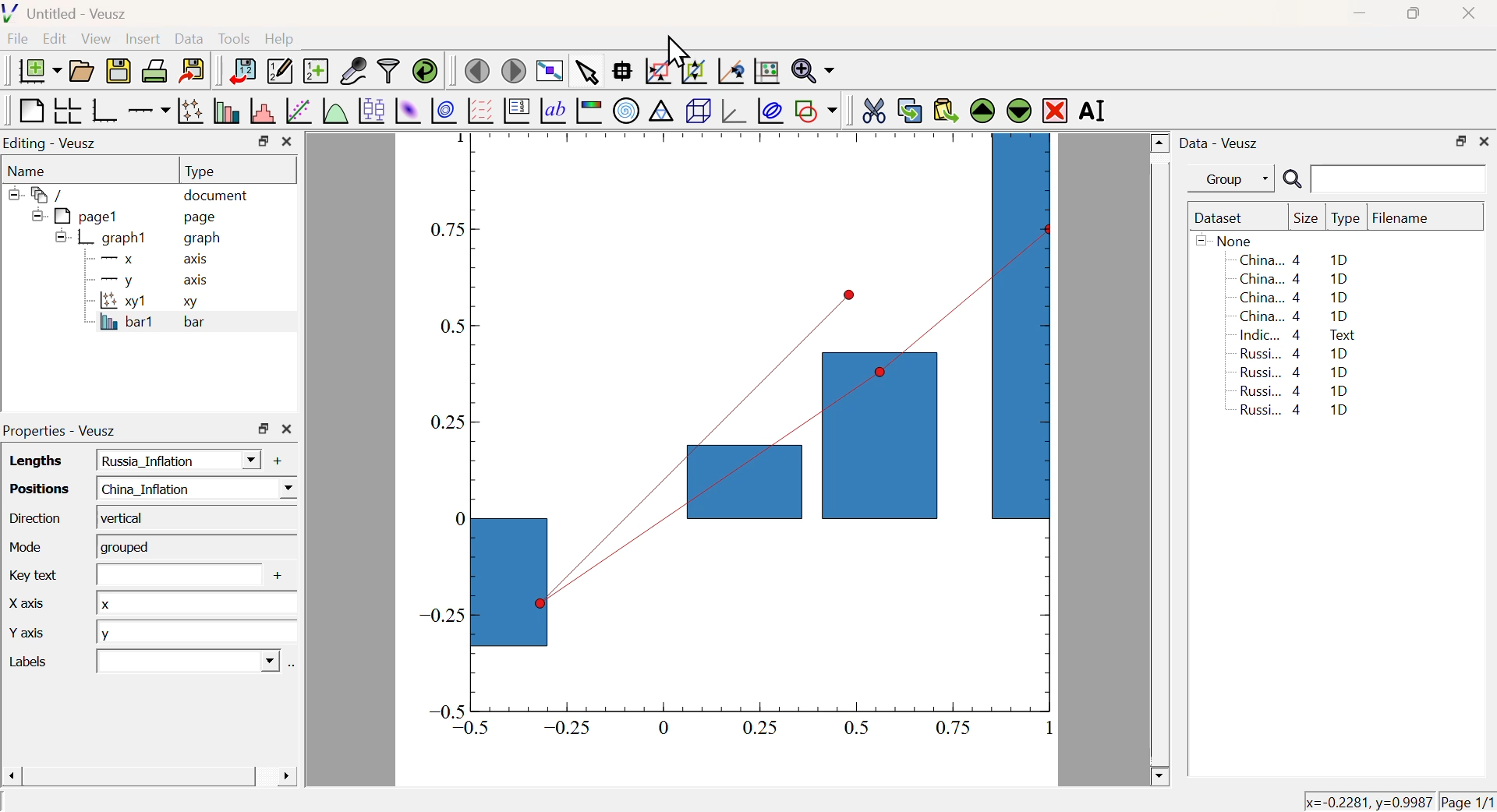  Describe the element at coordinates (69, 15) in the screenshot. I see `Untitled - Veusz` at that location.